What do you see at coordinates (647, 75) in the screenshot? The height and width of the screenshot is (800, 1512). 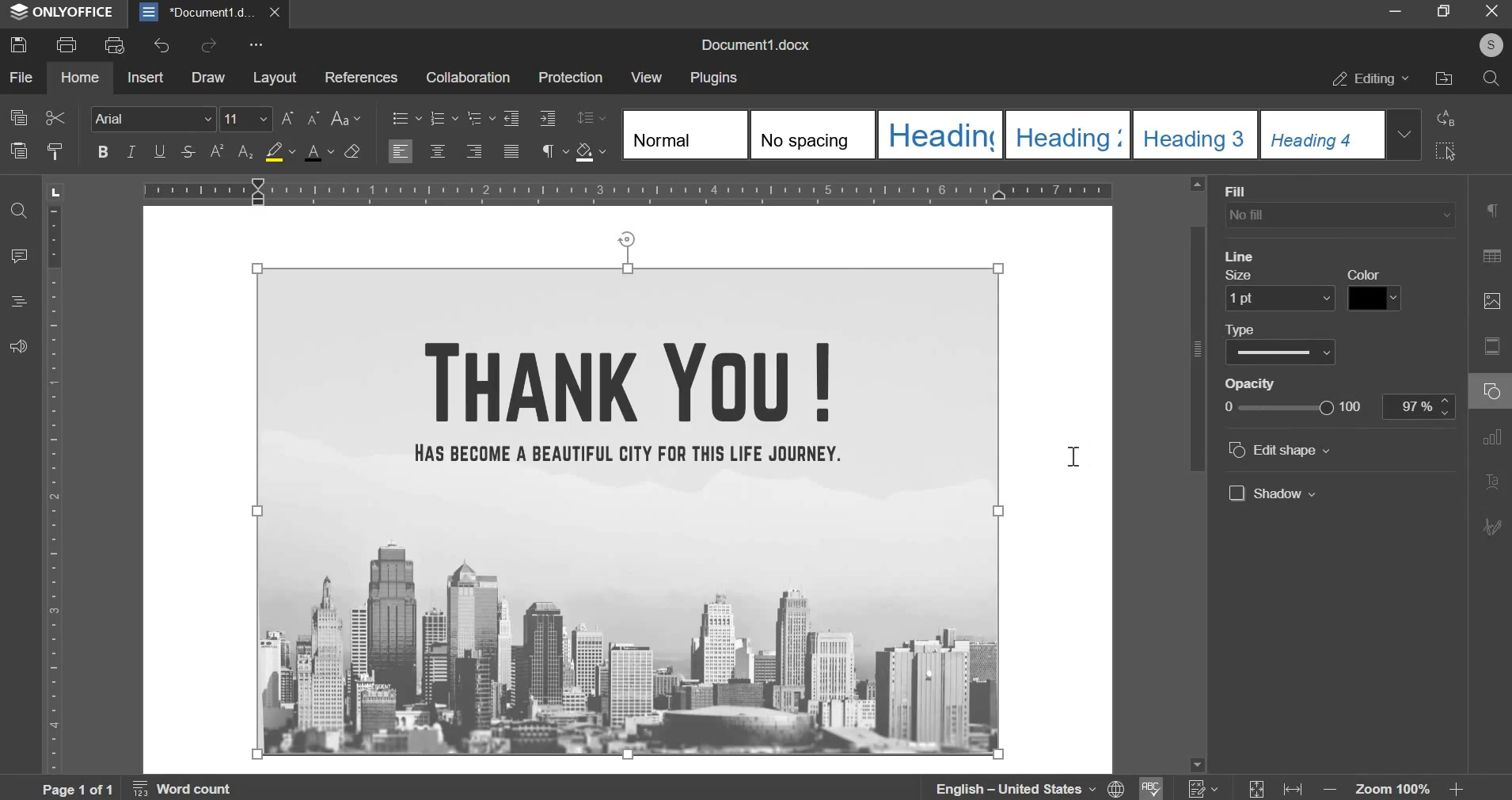 I see `view` at bounding box center [647, 75].